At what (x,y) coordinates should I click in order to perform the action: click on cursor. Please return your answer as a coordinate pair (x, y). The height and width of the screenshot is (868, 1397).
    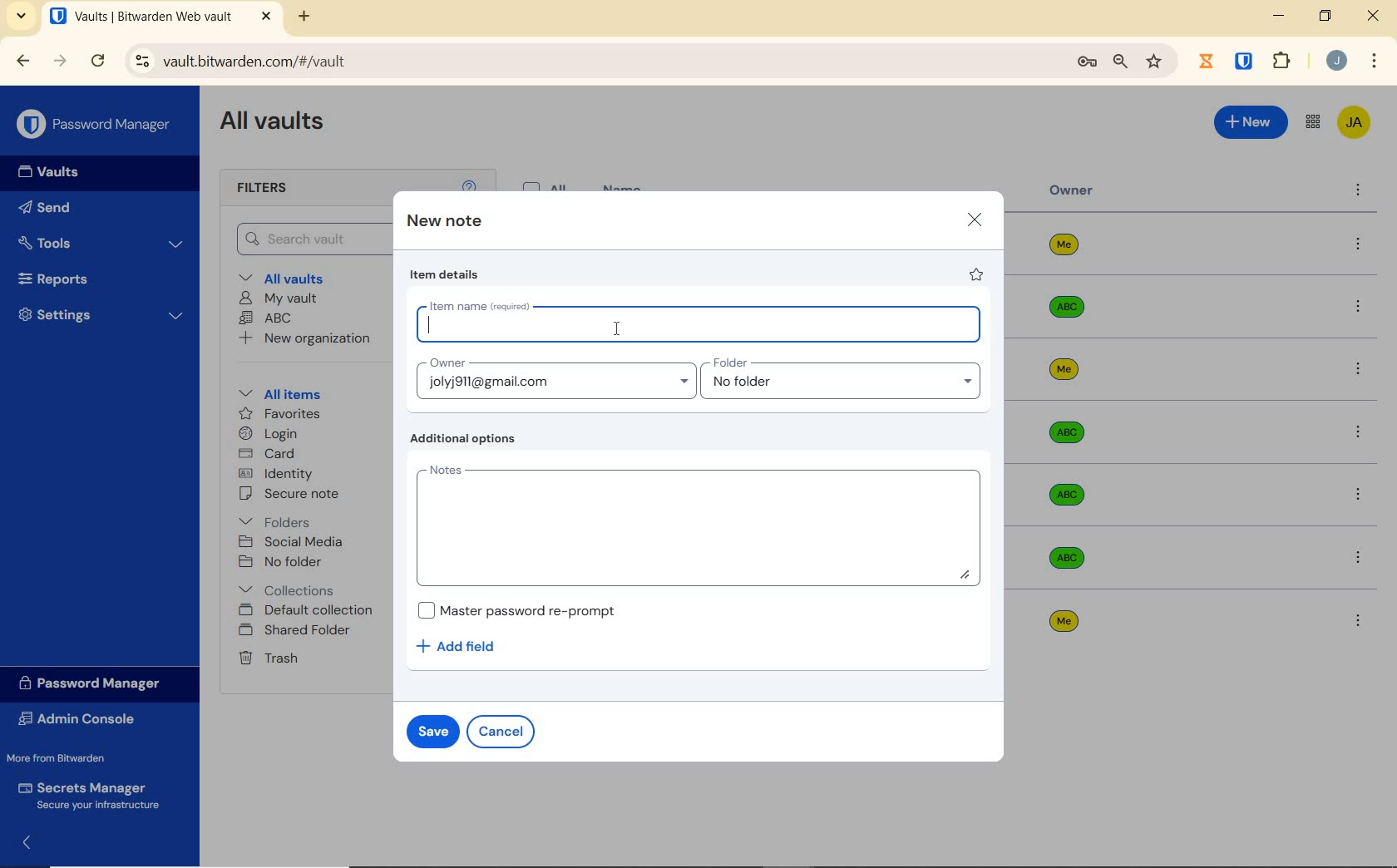
    Looking at the image, I should click on (617, 328).